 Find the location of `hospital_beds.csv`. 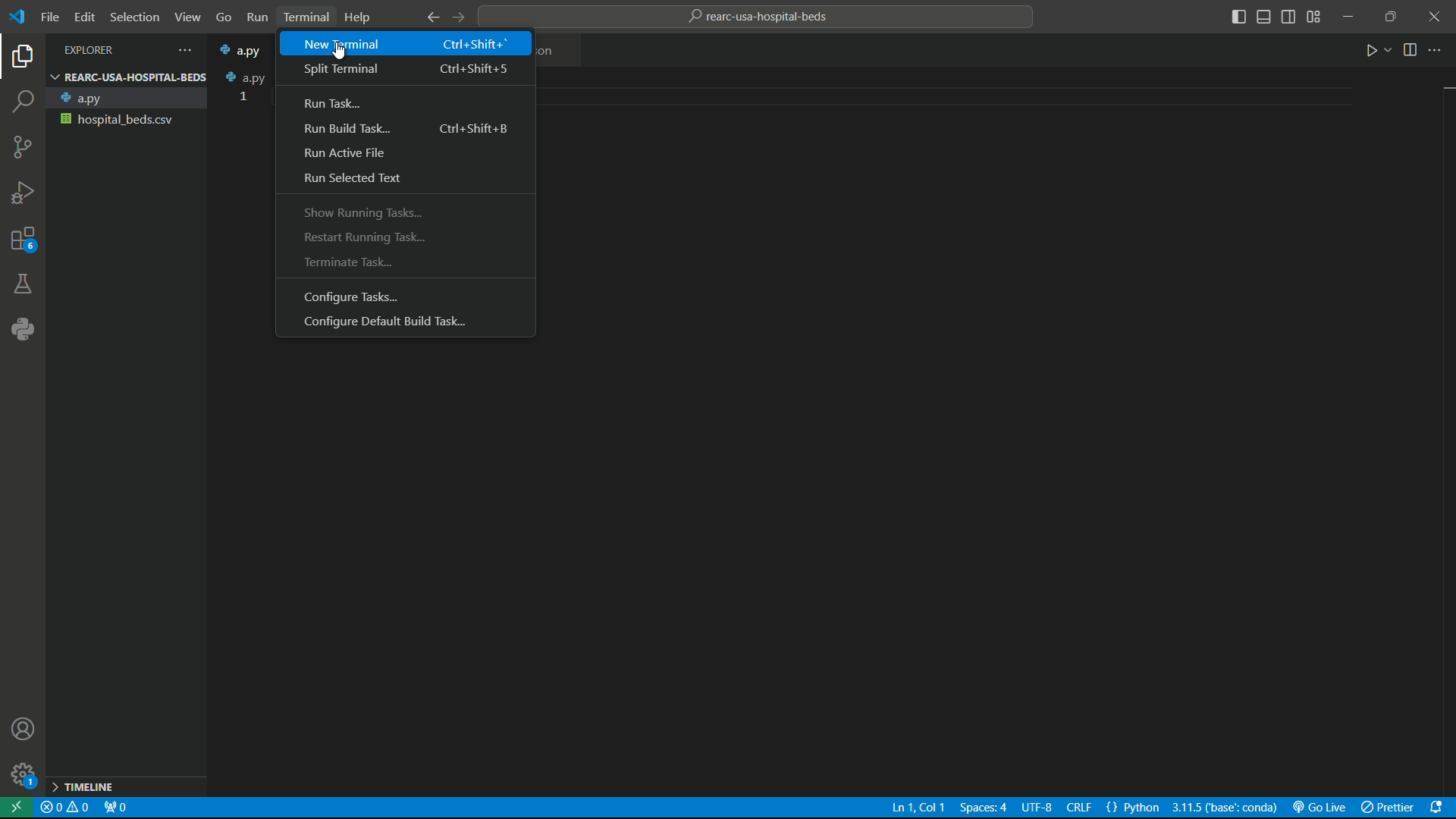

hospital_beds.csv is located at coordinates (127, 120).